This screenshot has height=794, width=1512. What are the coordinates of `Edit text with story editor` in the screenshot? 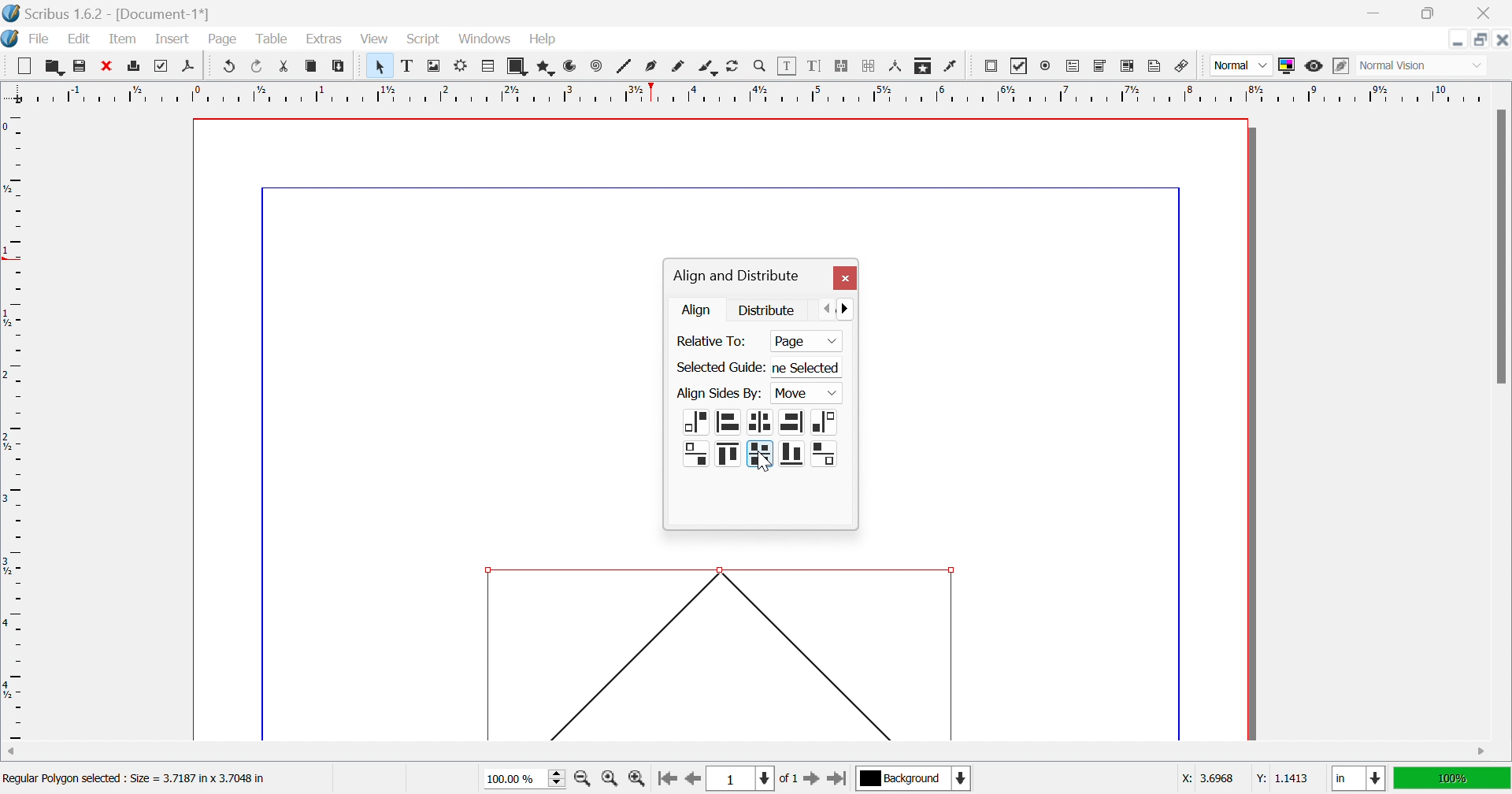 It's located at (813, 65).